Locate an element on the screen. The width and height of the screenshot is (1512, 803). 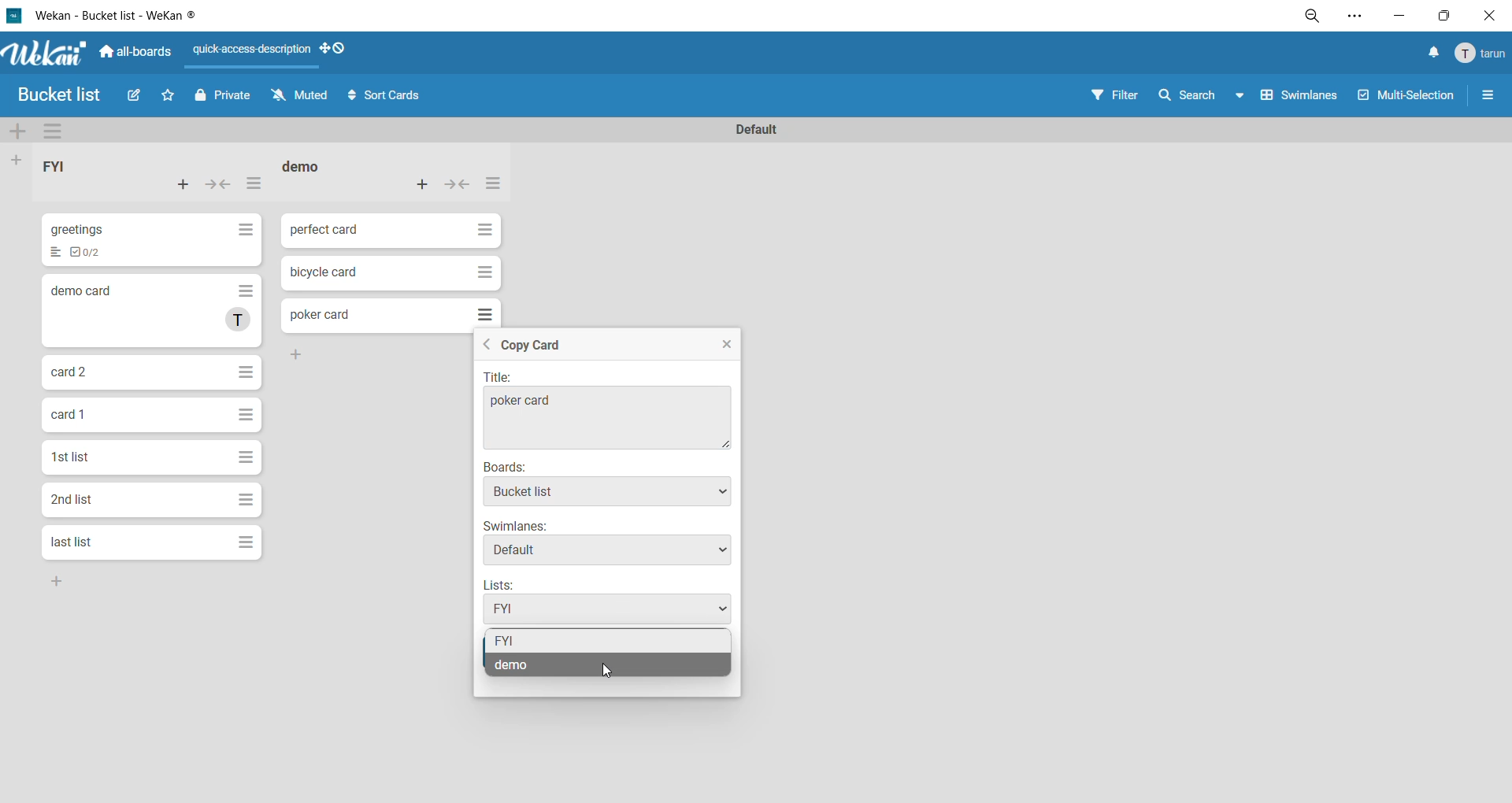
Hamburger is located at coordinates (243, 289).